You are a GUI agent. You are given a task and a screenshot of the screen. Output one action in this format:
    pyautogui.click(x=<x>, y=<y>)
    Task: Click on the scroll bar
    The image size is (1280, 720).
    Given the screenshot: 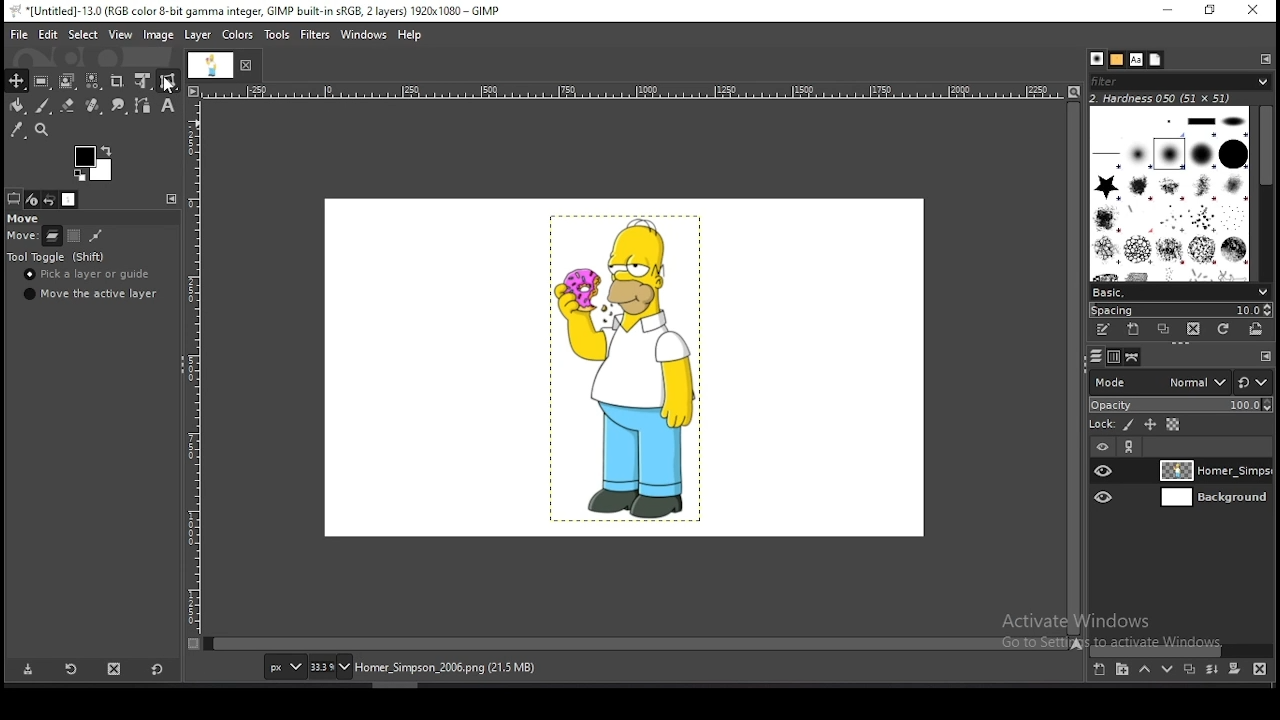 What is the action you would take?
    pyautogui.click(x=1182, y=649)
    